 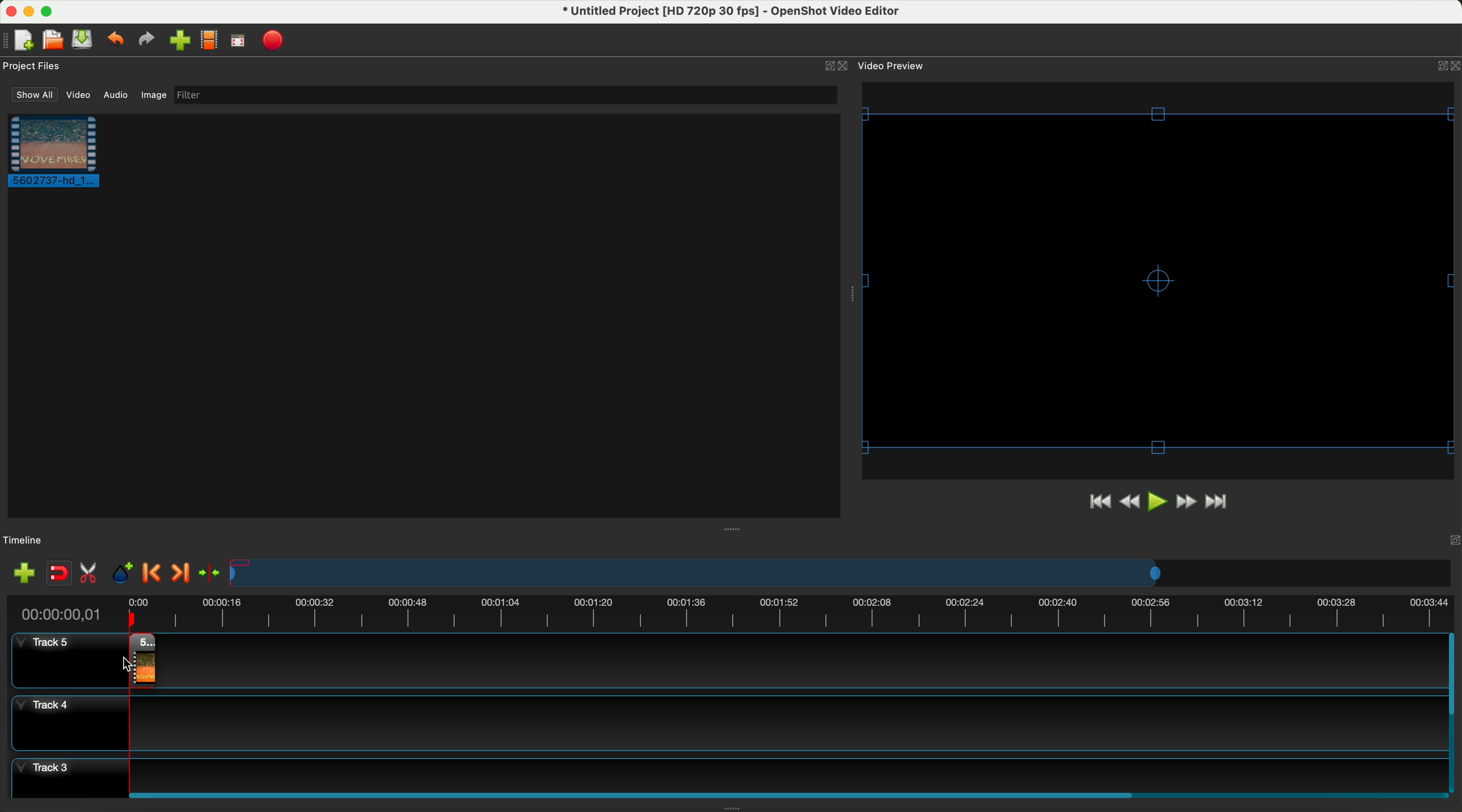 I want to click on audio, so click(x=116, y=95).